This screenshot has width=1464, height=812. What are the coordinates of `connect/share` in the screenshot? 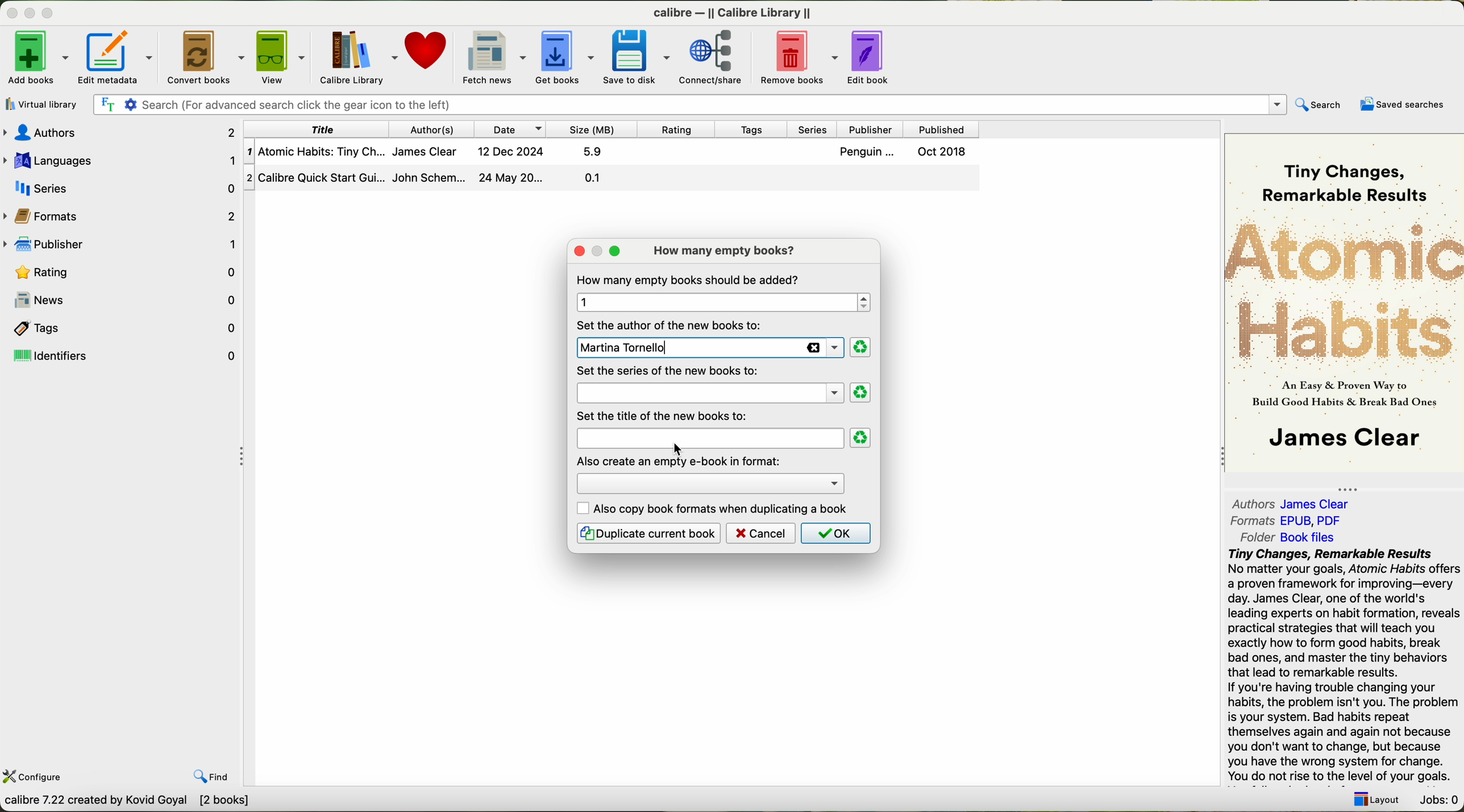 It's located at (714, 58).